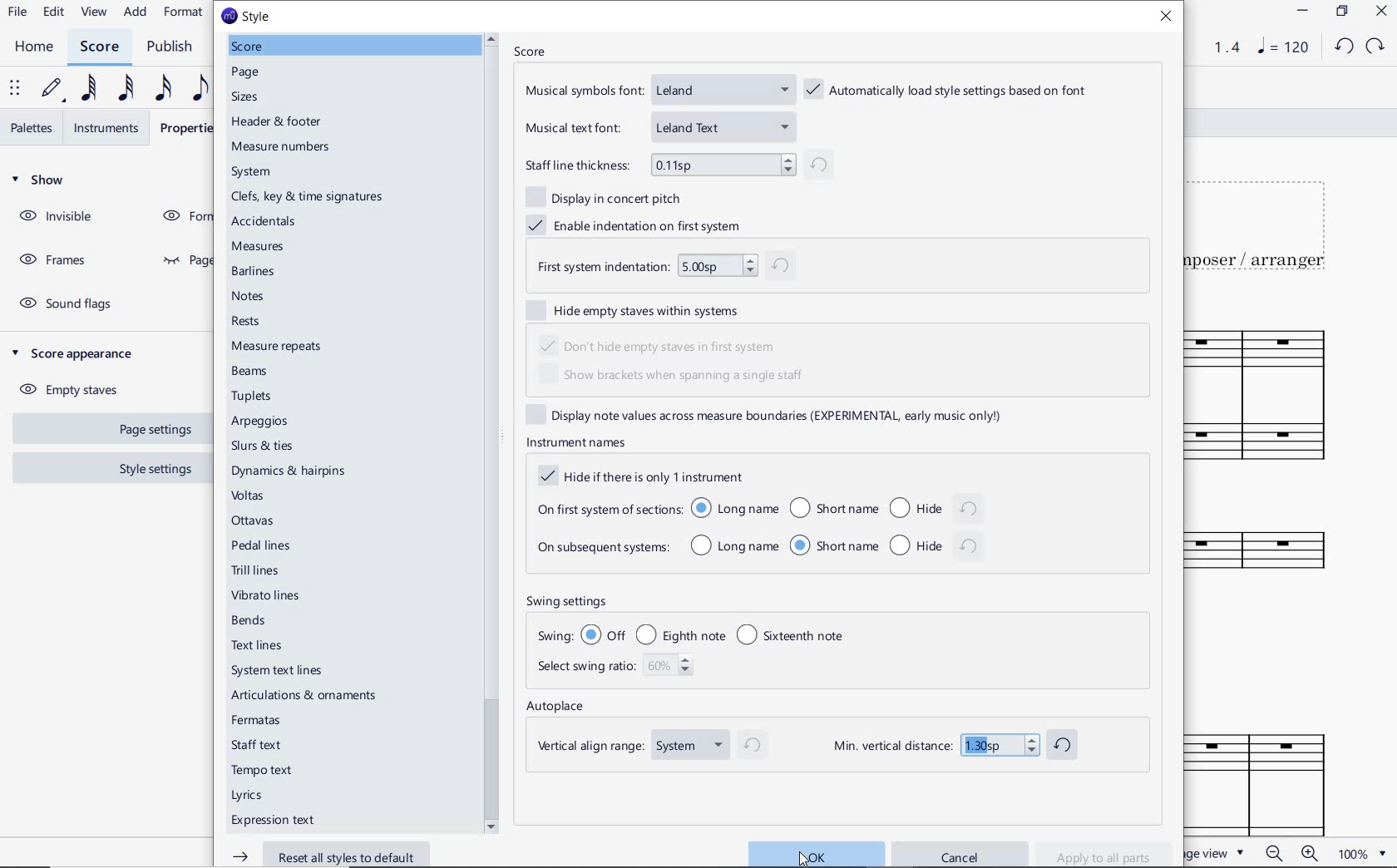  Describe the element at coordinates (279, 672) in the screenshot. I see `system text lines` at that location.